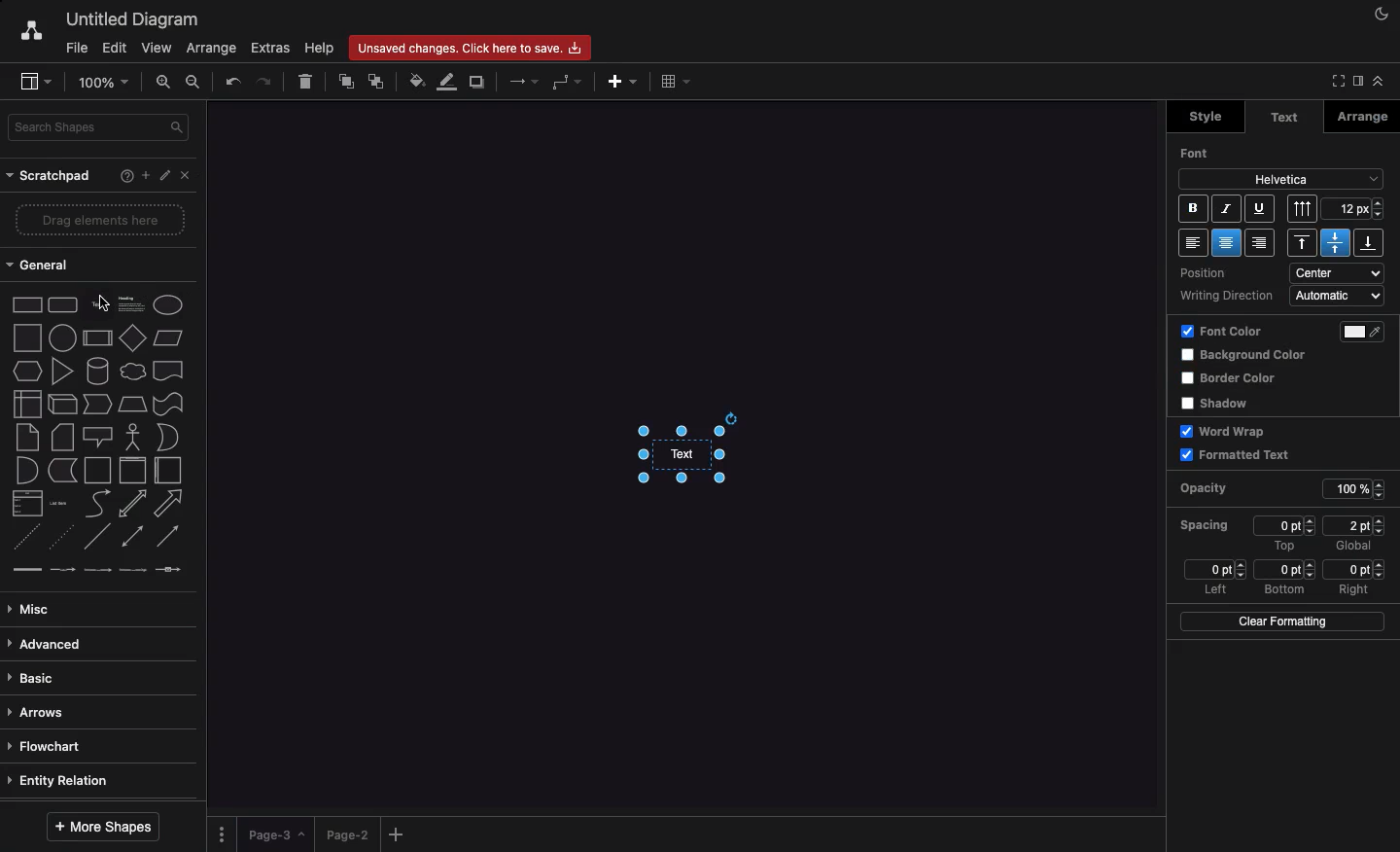 The width and height of the screenshot is (1400, 852). Describe the element at coordinates (168, 305) in the screenshot. I see `Ellipse` at that location.